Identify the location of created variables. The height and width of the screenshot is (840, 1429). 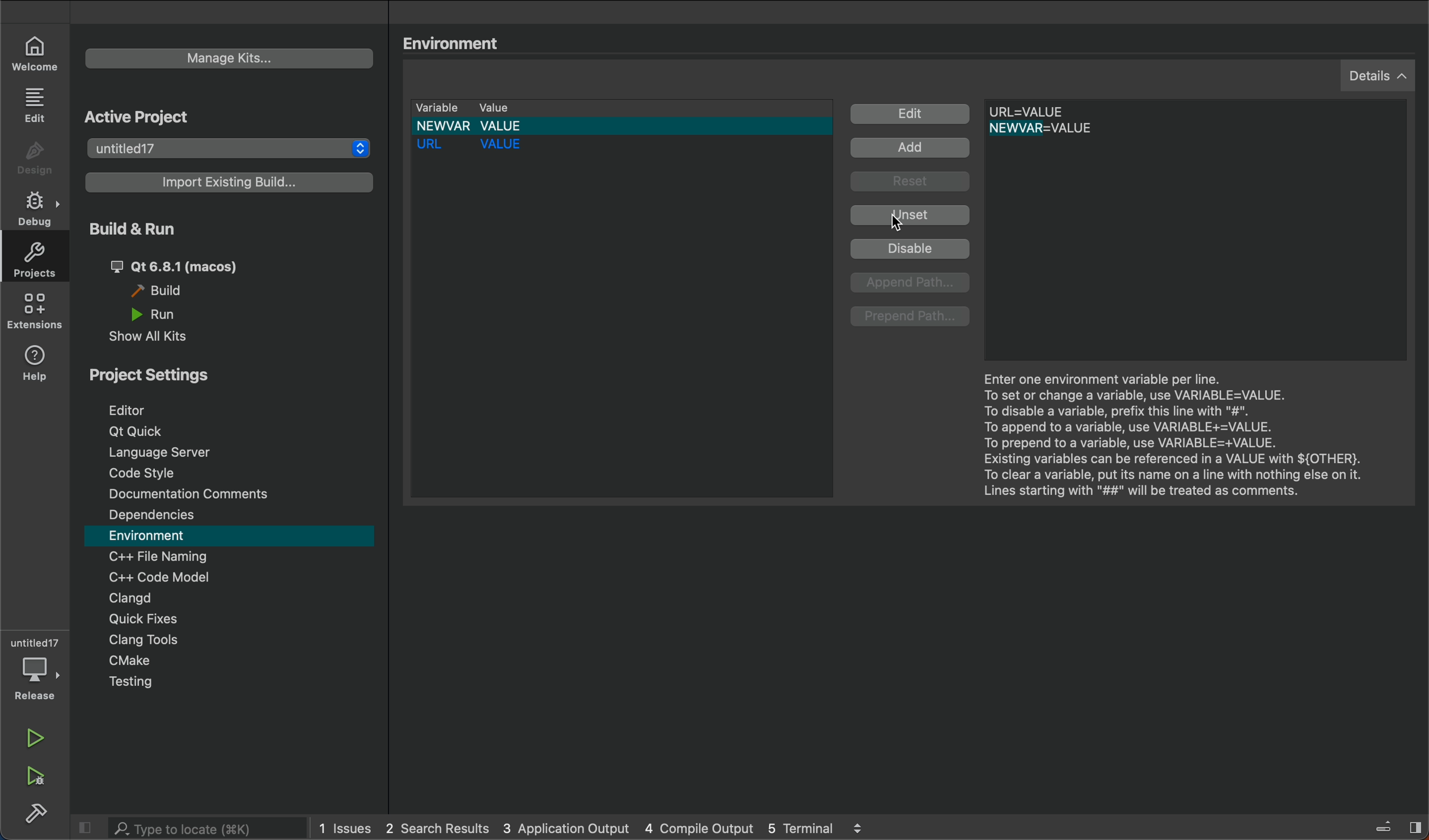
(619, 296).